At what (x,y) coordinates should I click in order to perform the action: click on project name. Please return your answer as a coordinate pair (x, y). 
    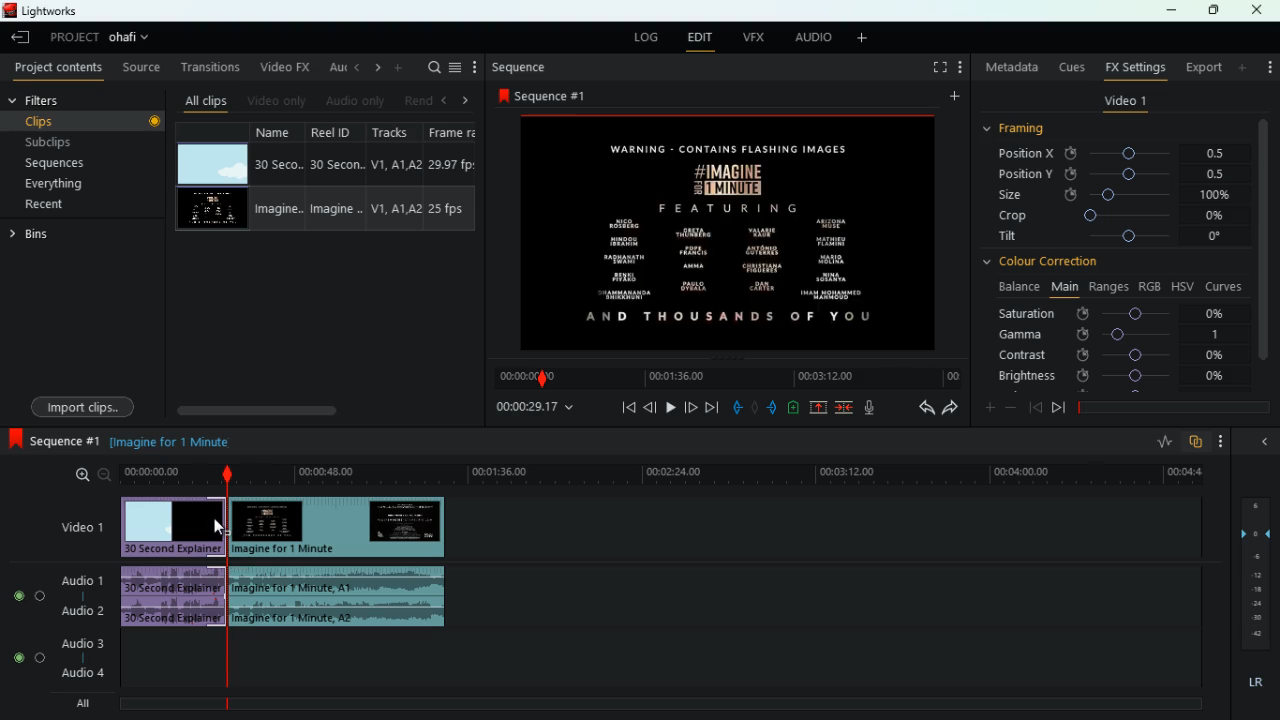
    Looking at the image, I should click on (133, 39).